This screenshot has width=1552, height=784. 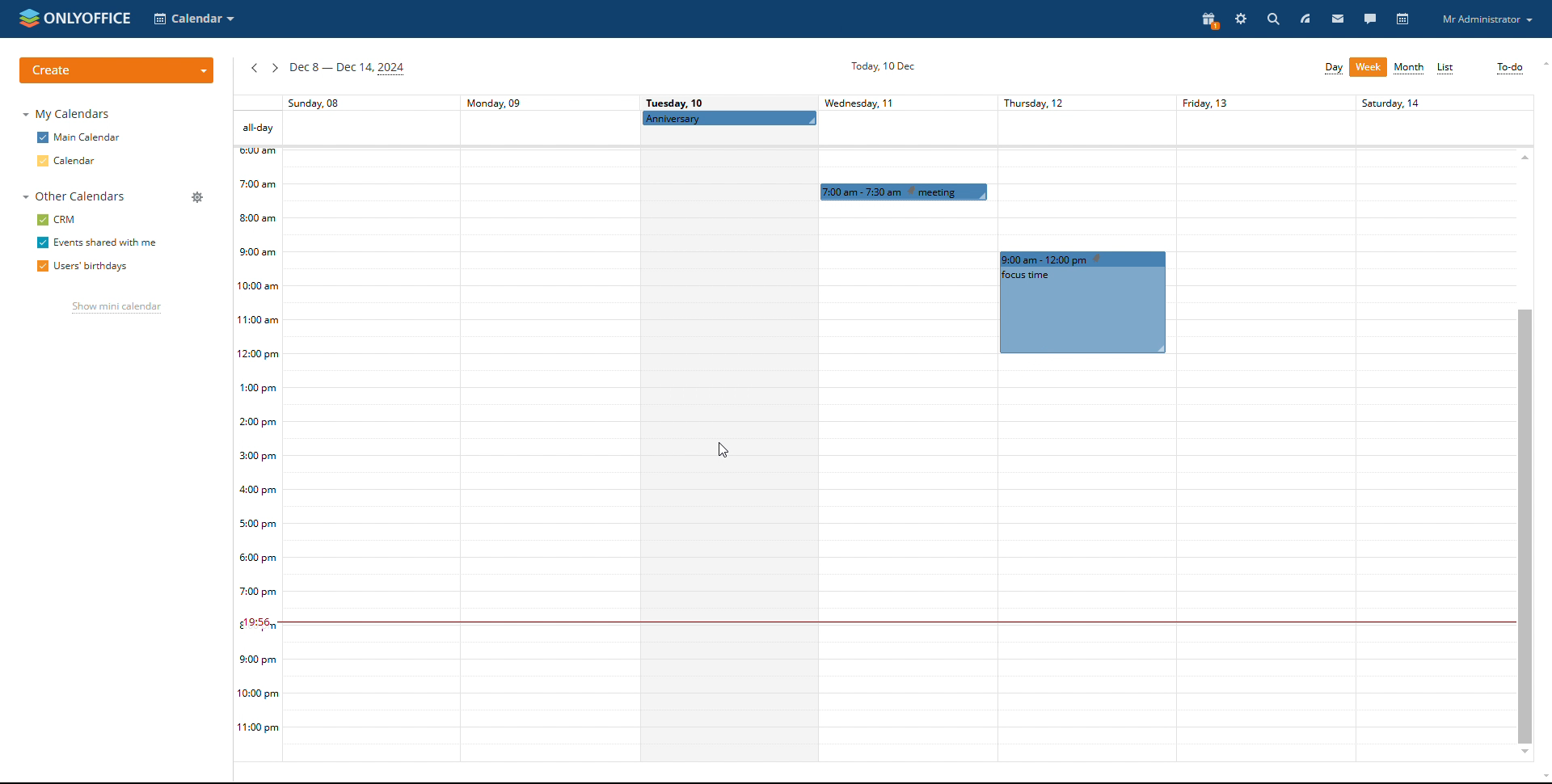 What do you see at coordinates (254, 69) in the screenshot?
I see `previous week` at bounding box center [254, 69].